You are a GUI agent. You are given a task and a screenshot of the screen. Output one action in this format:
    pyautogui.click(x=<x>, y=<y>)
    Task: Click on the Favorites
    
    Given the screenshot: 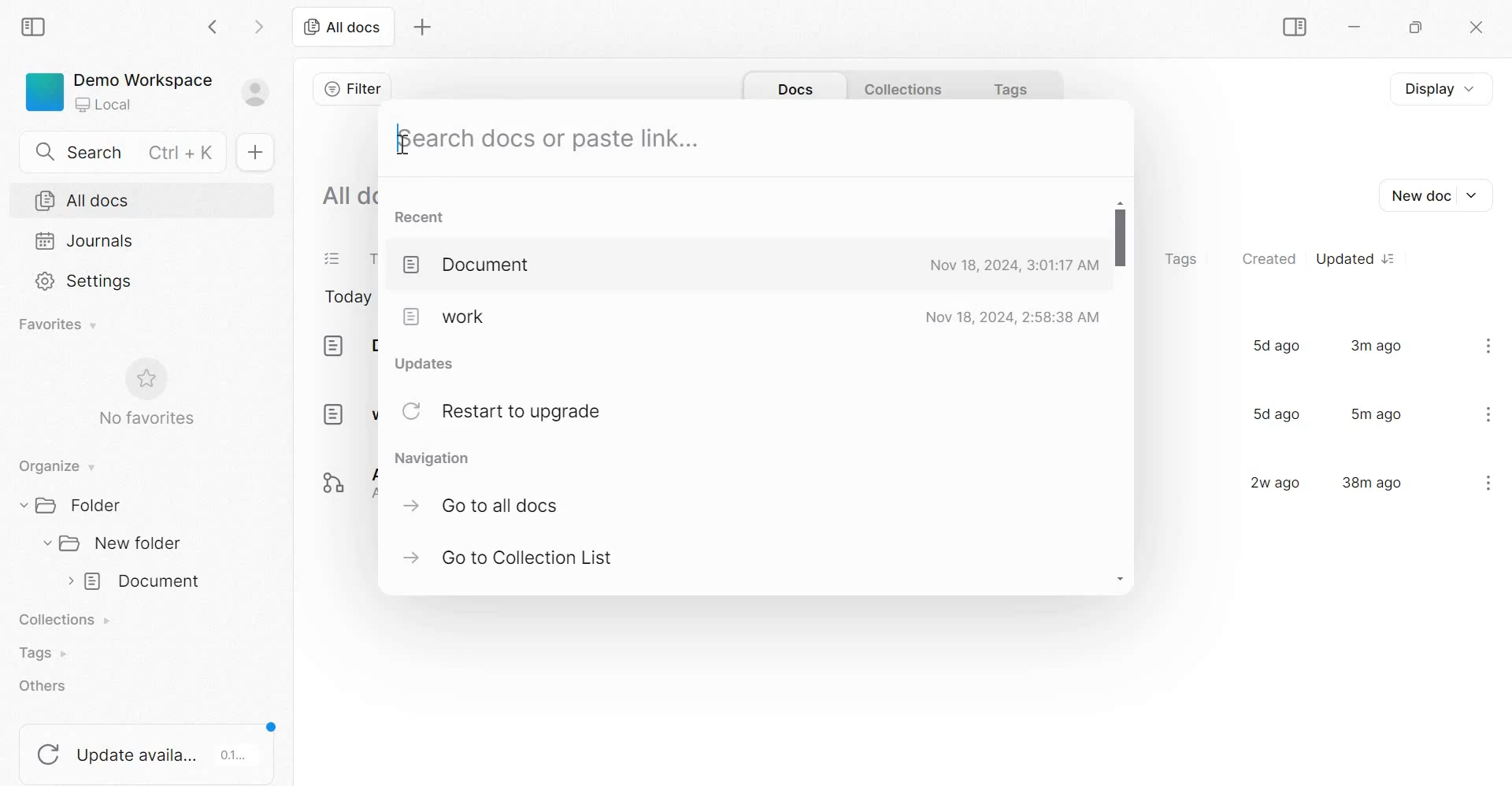 What is the action you would take?
    pyautogui.click(x=59, y=324)
    